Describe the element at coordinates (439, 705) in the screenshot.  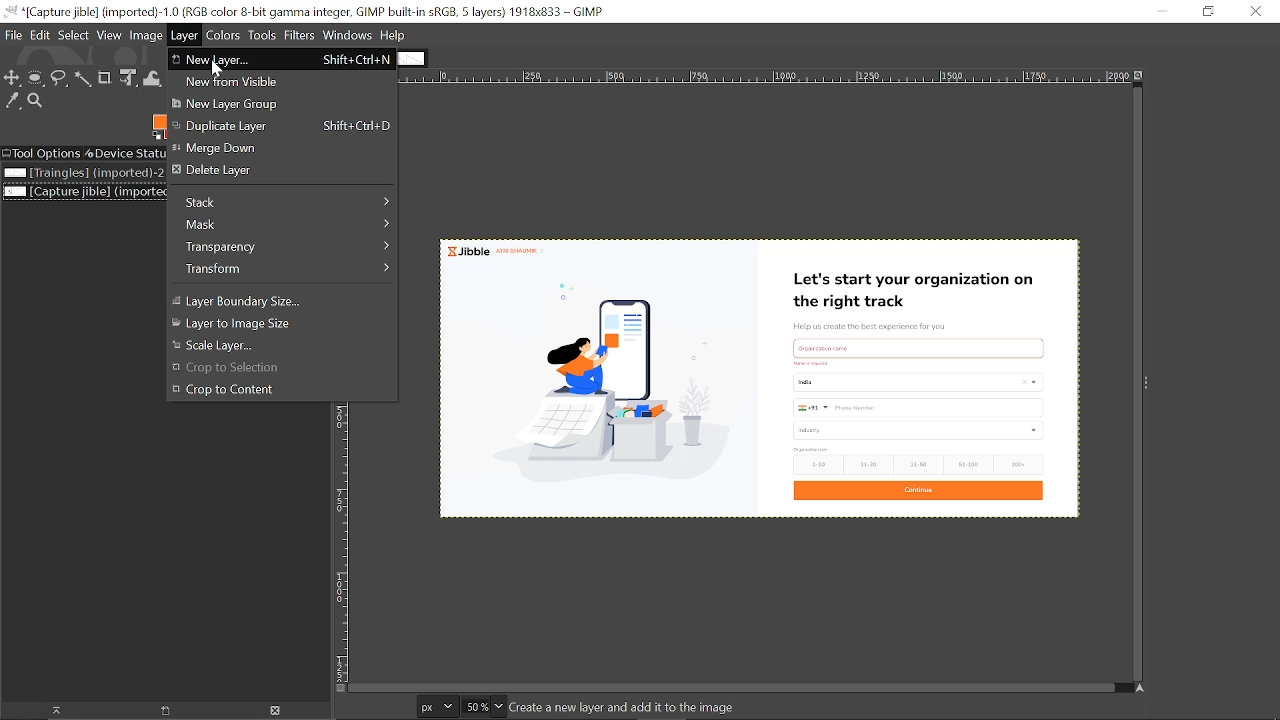
I see `Current image units` at that location.